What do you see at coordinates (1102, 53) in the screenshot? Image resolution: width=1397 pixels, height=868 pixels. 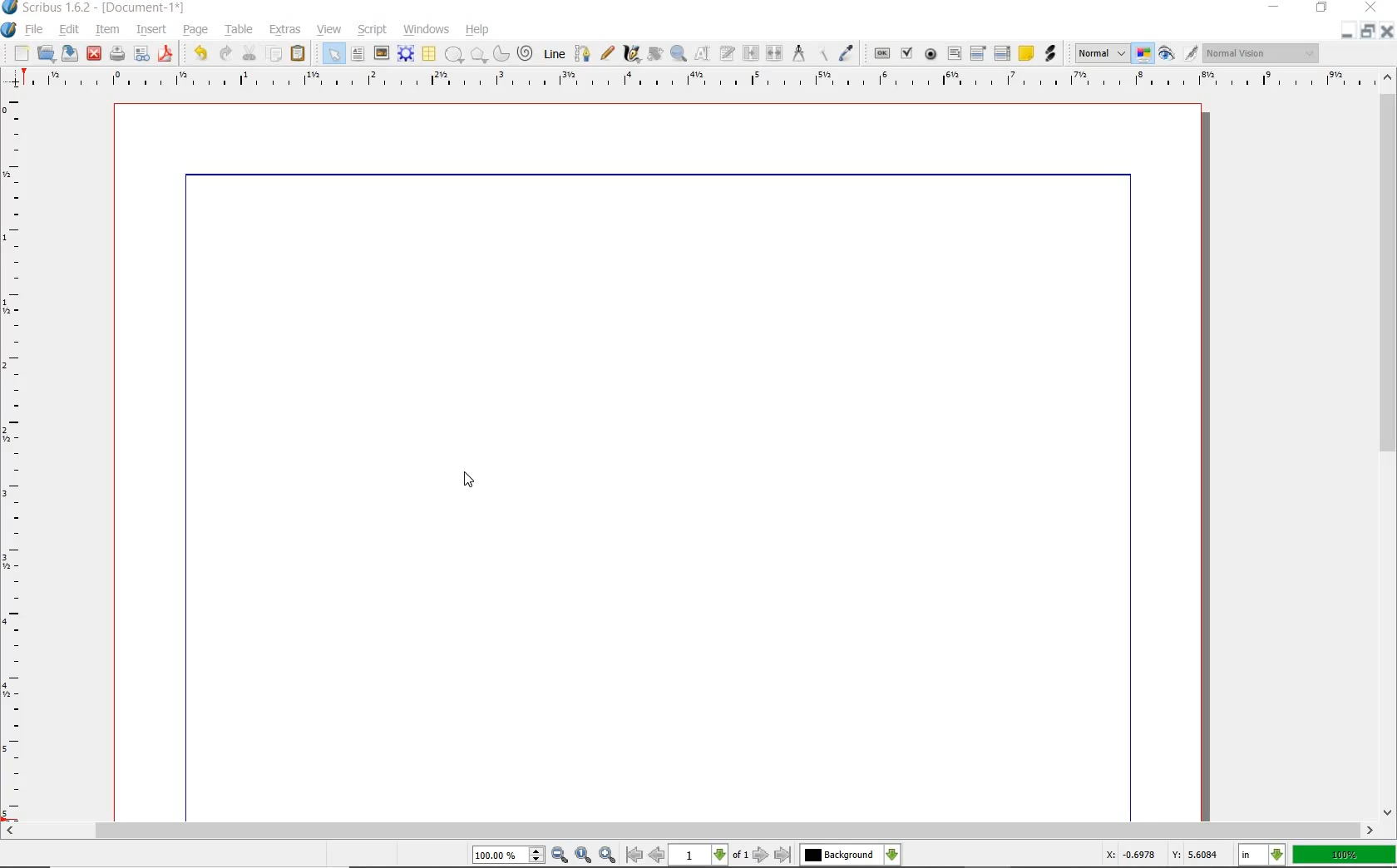 I see `SELECT THE IMAGE PREVIEW QUALITY` at bounding box center [1102, 53].